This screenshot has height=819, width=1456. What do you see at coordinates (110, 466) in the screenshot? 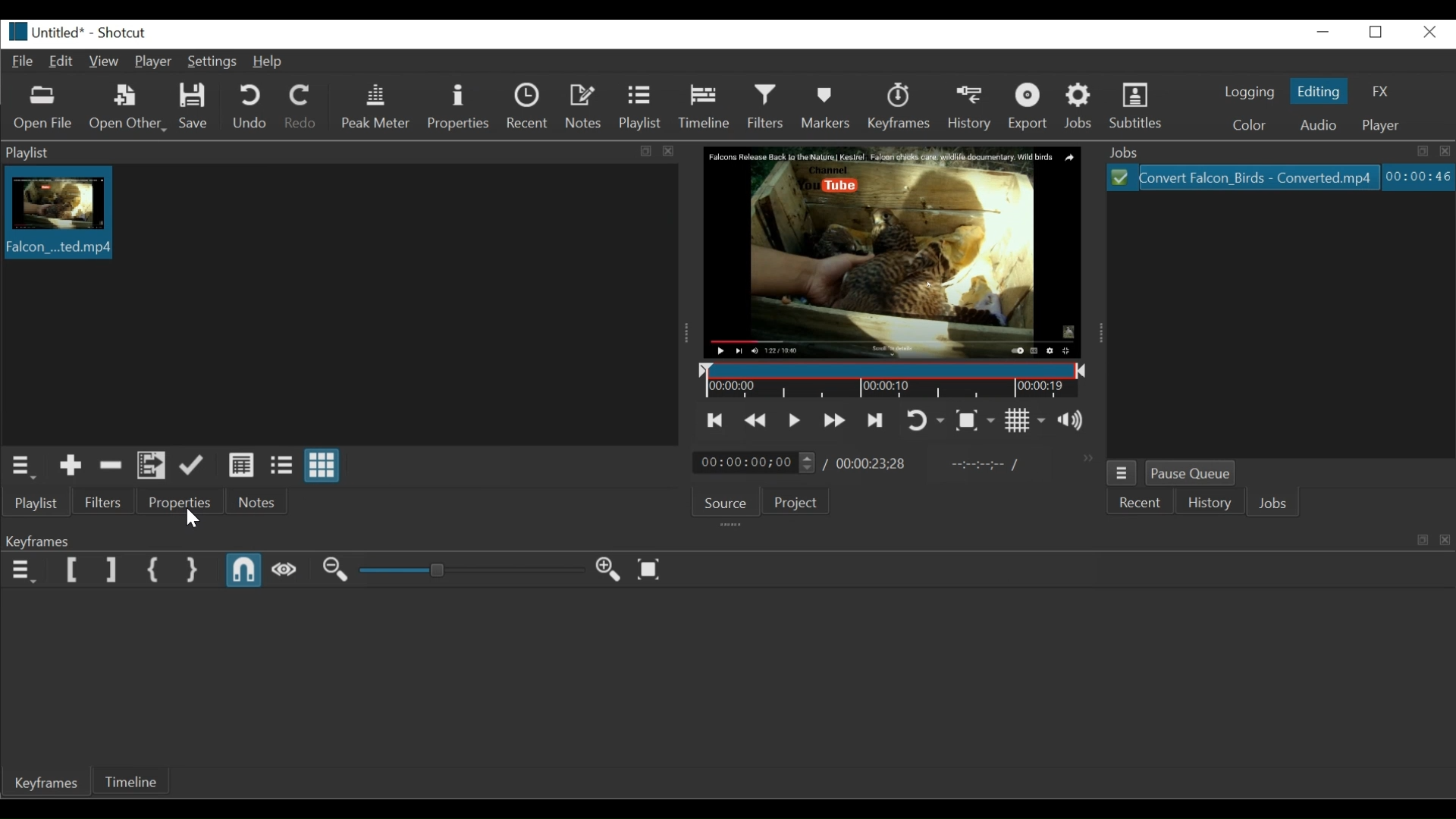
I see `Remove cut` at bounding box center [110, 466].